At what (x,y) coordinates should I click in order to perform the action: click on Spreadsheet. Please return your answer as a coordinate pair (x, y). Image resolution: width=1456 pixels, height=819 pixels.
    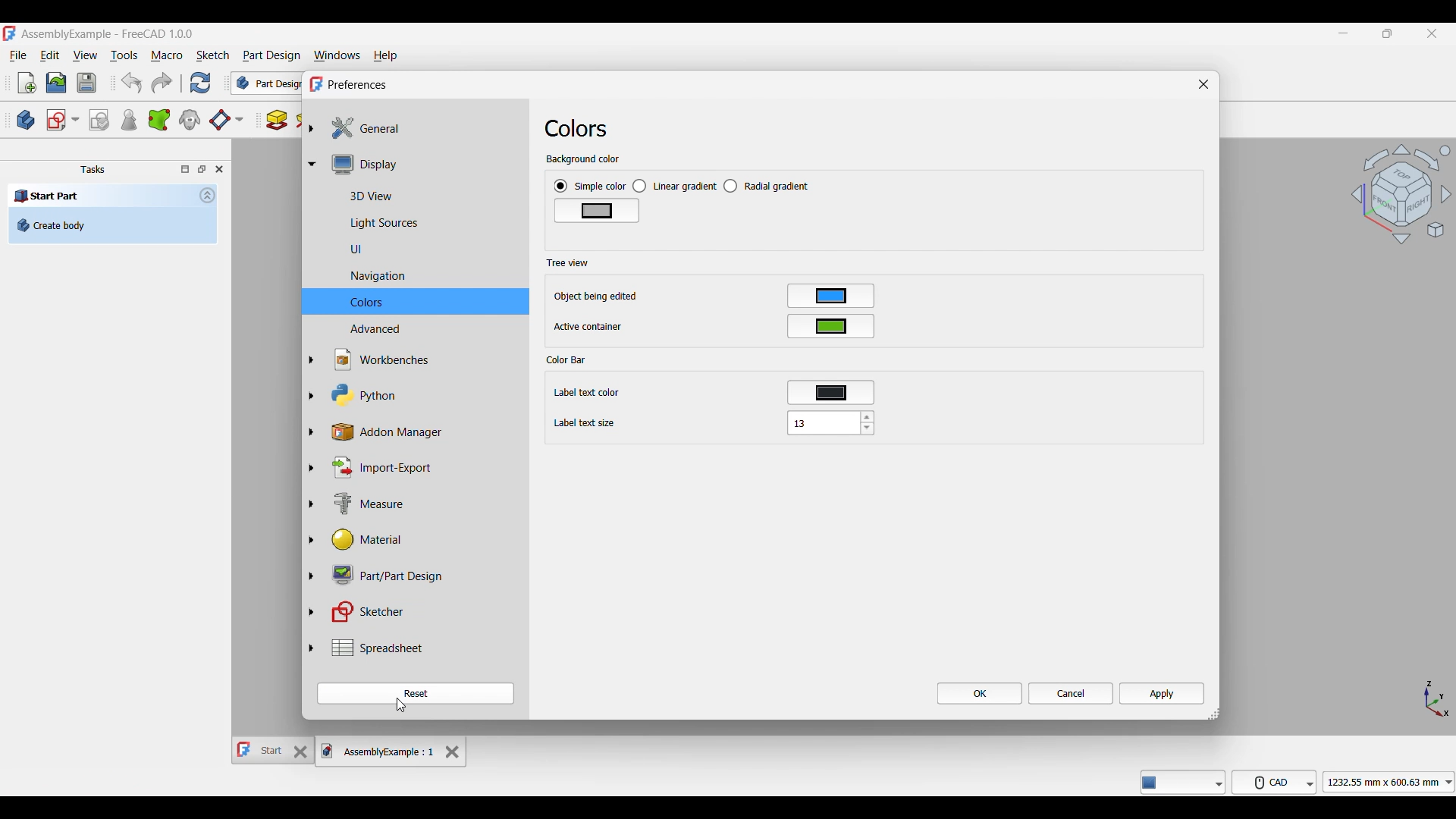
    Looking at the image, I should click on (365, 648).